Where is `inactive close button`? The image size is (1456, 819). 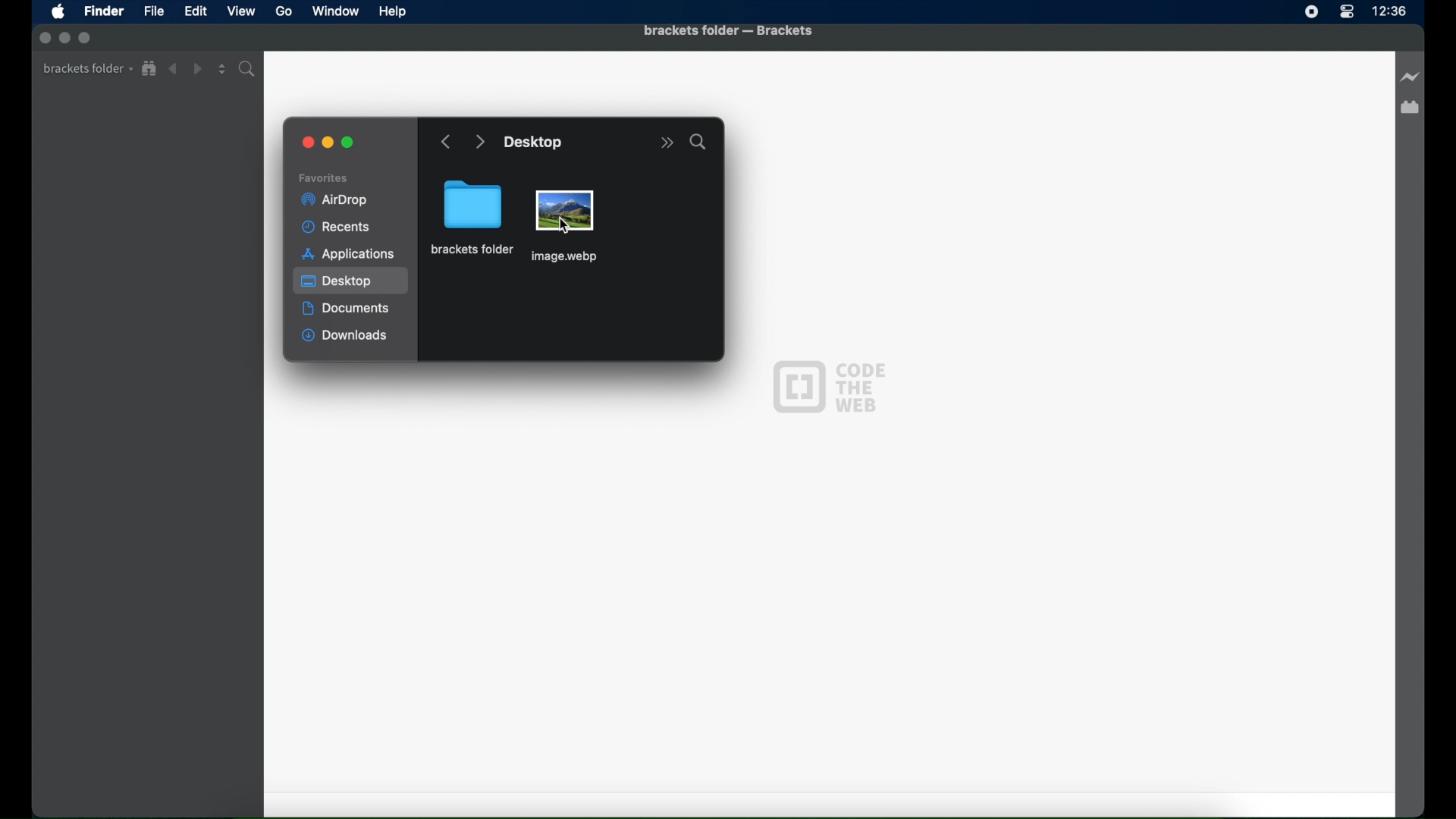 inactive close button is located at coordinates (45, 38).